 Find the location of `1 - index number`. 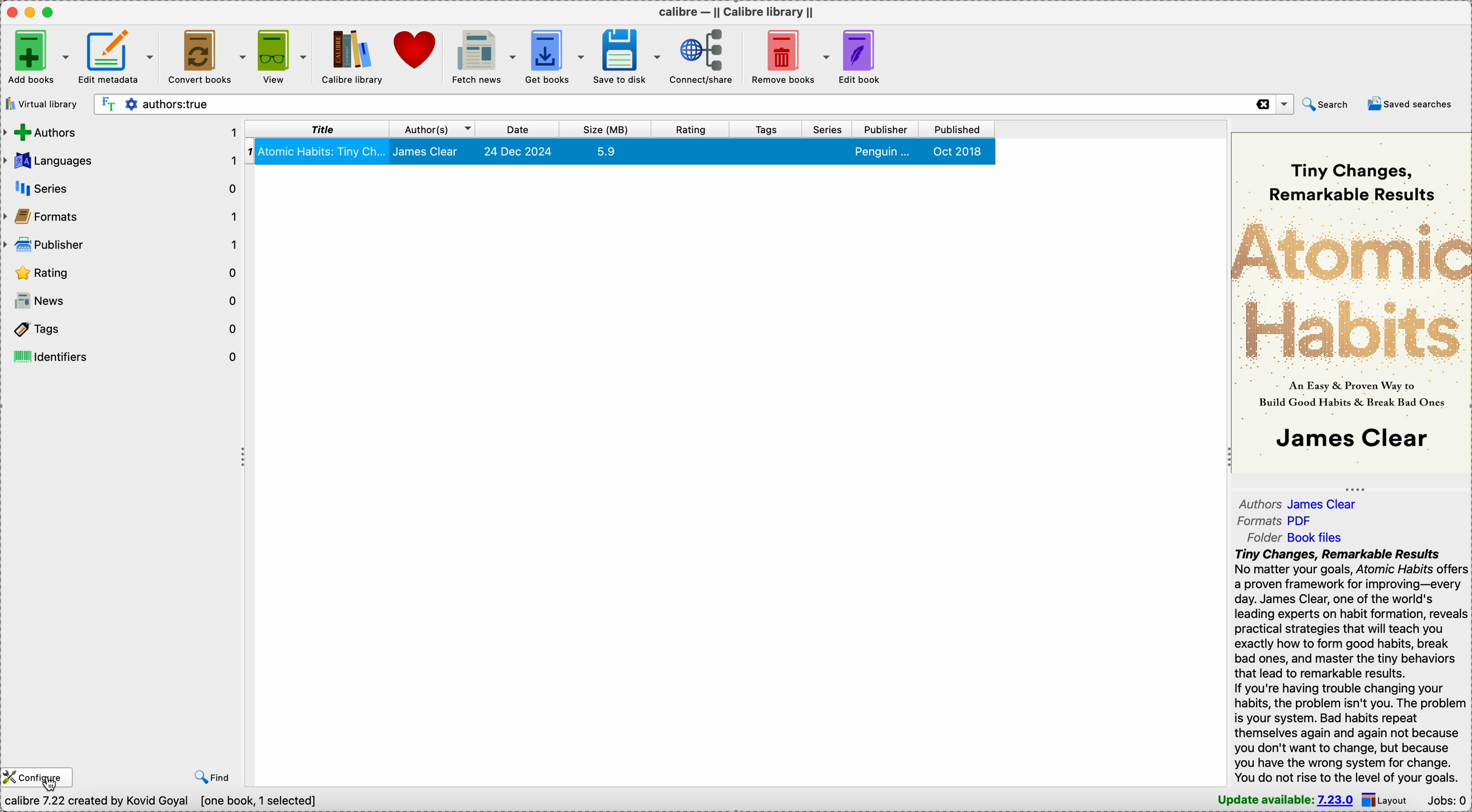

1 - index number is located at coordinates (250, 151).